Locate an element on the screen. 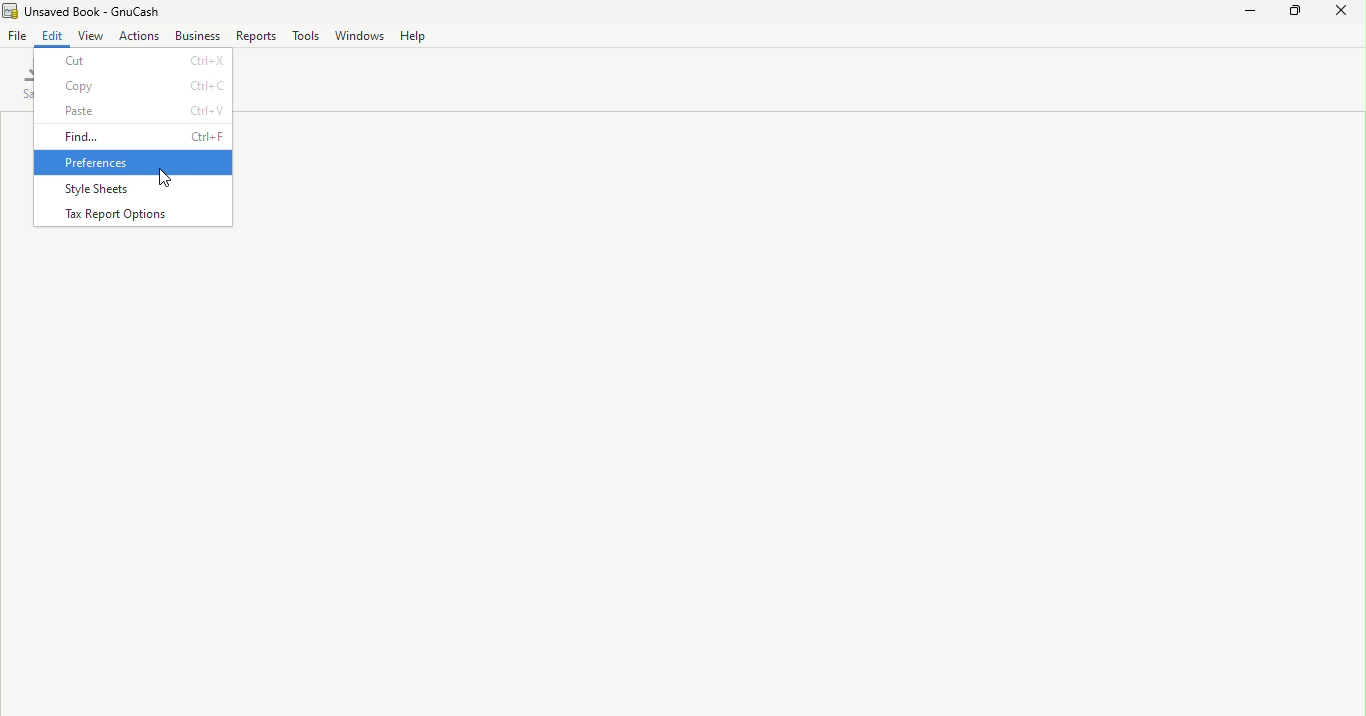 This screenshot has width=1366, height=716. Tools is located at coordinates (305, 36).